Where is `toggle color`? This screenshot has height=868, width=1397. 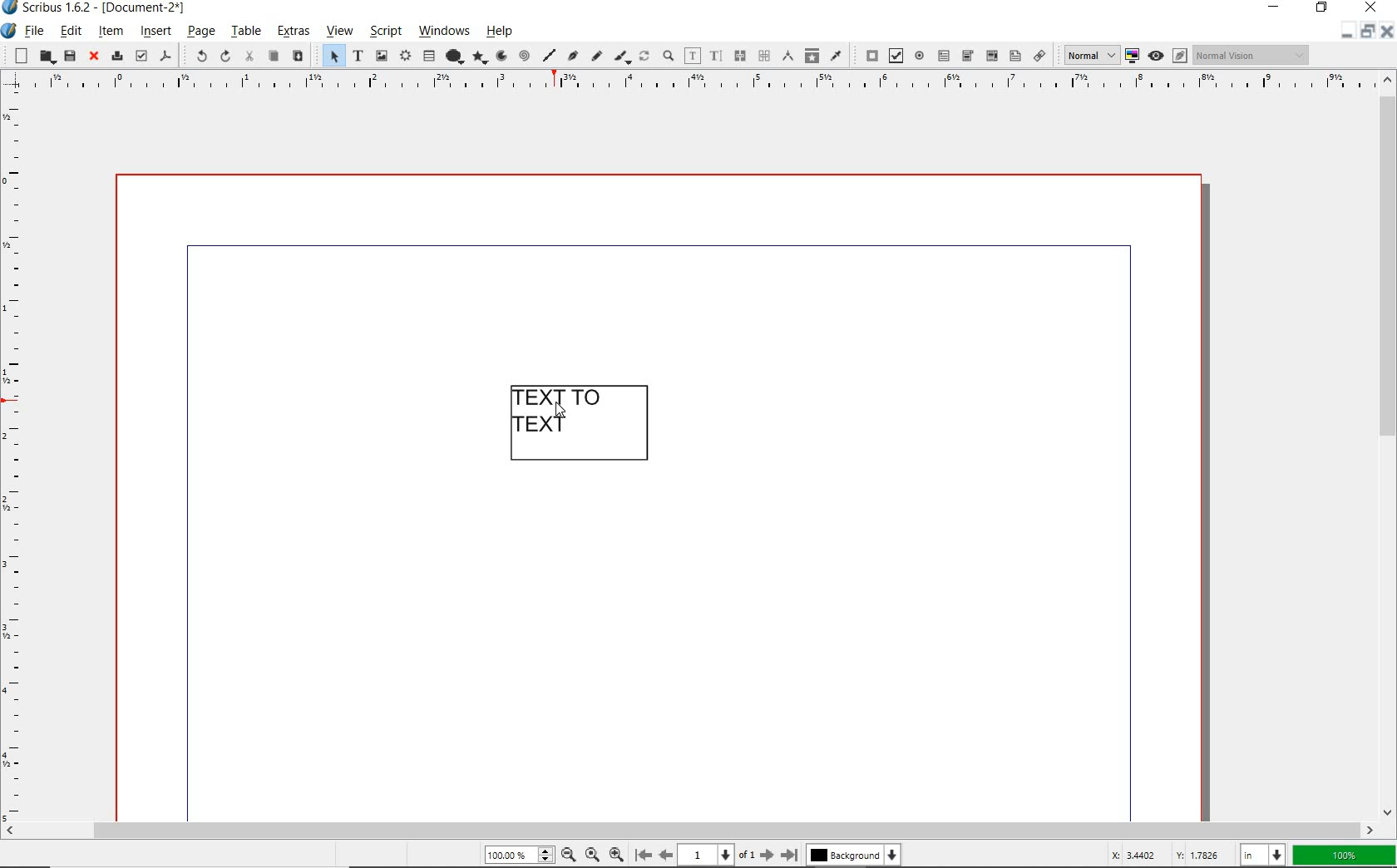
toggle color is located at coordinates (1134, 55).